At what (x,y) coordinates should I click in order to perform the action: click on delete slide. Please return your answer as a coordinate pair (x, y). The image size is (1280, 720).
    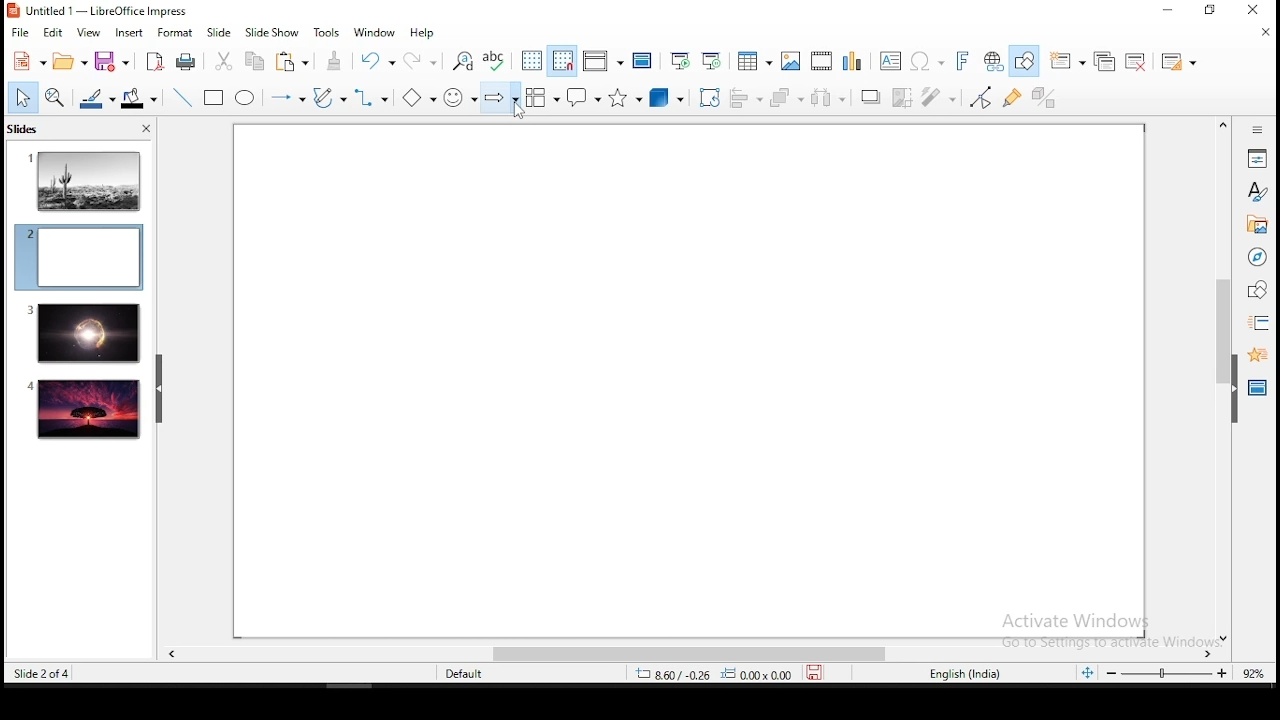
    Looking at the image, I should click on (1139, 62).